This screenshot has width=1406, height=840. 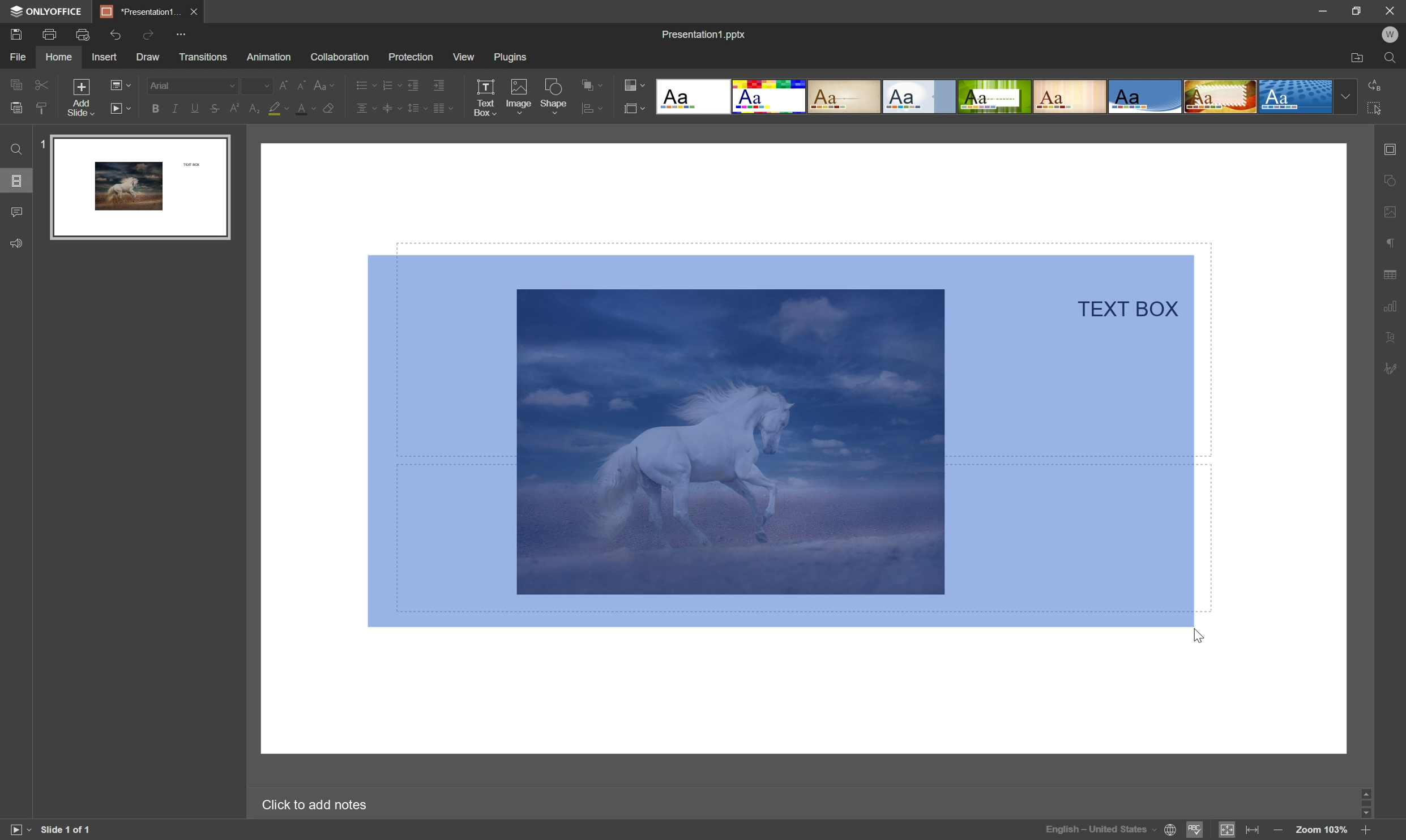 I want to click on Blank, so click(x=691, y=96).